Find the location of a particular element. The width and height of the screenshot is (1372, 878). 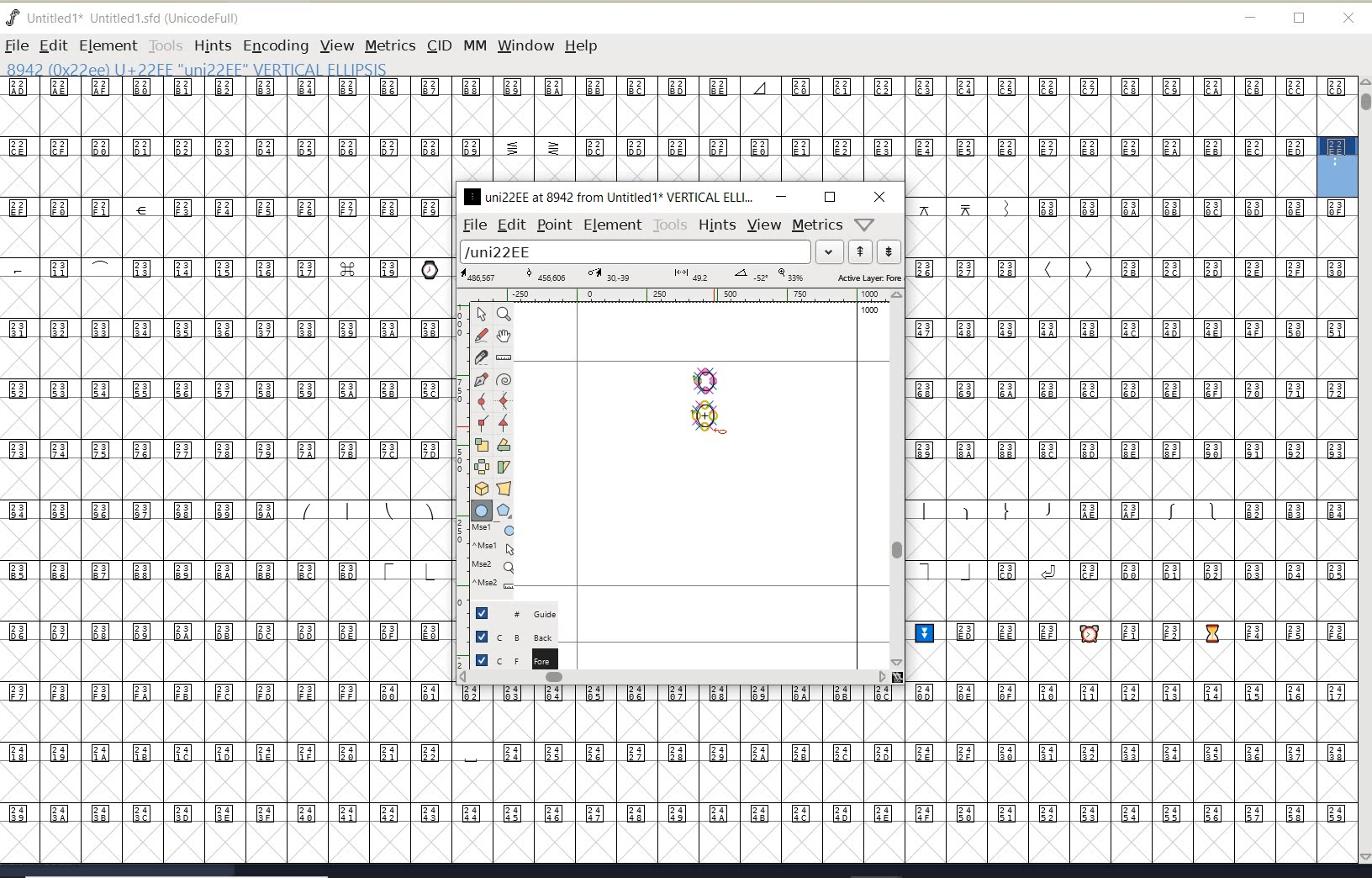

file is located at coordinates (472, 225).